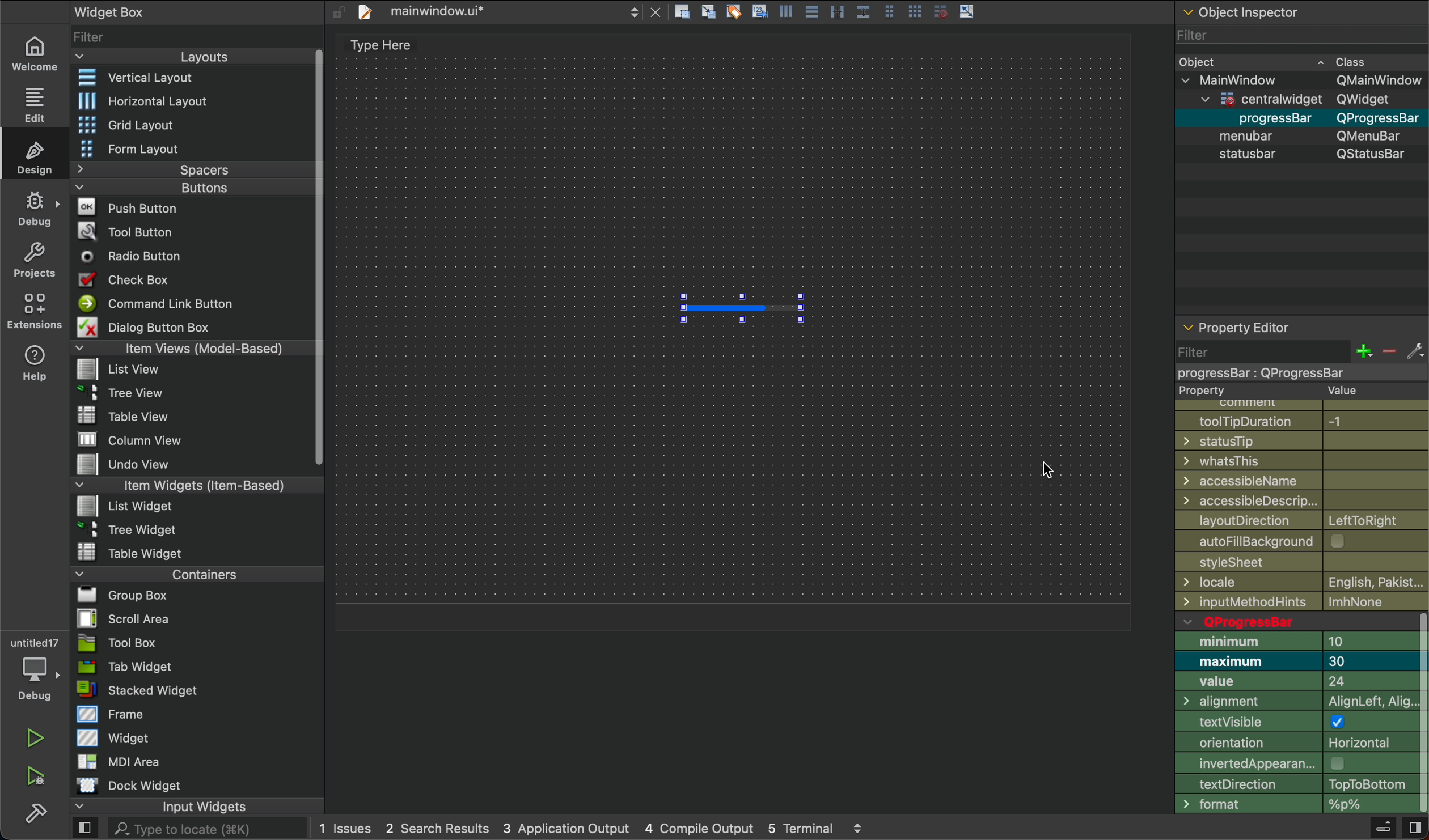  What do you see at coordinates (126, 505) in the screenshot?
I see `File` at bounding box center [126, 505].